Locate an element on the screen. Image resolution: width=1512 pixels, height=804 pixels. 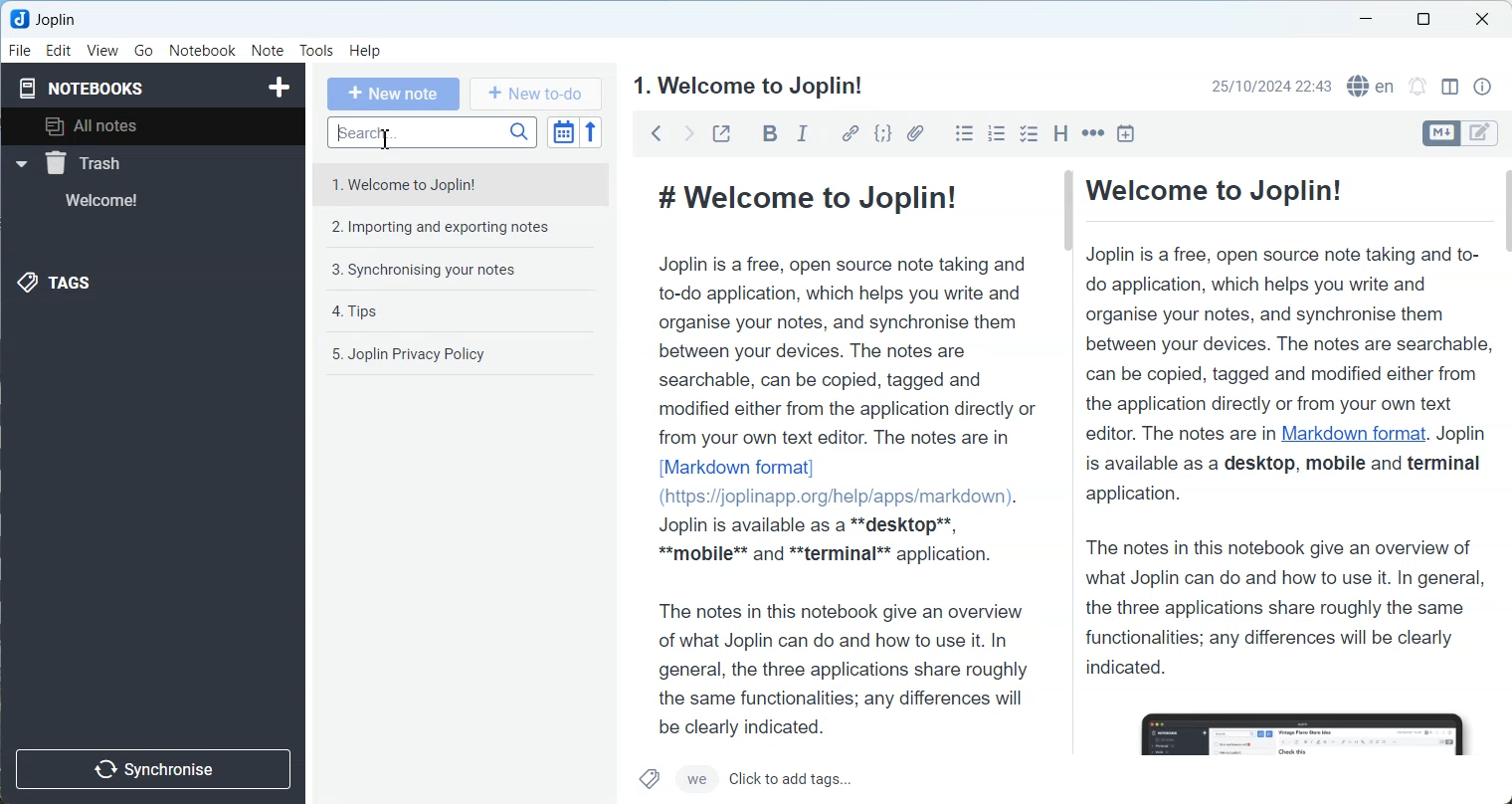
Back is located at coordinates (657, 132).